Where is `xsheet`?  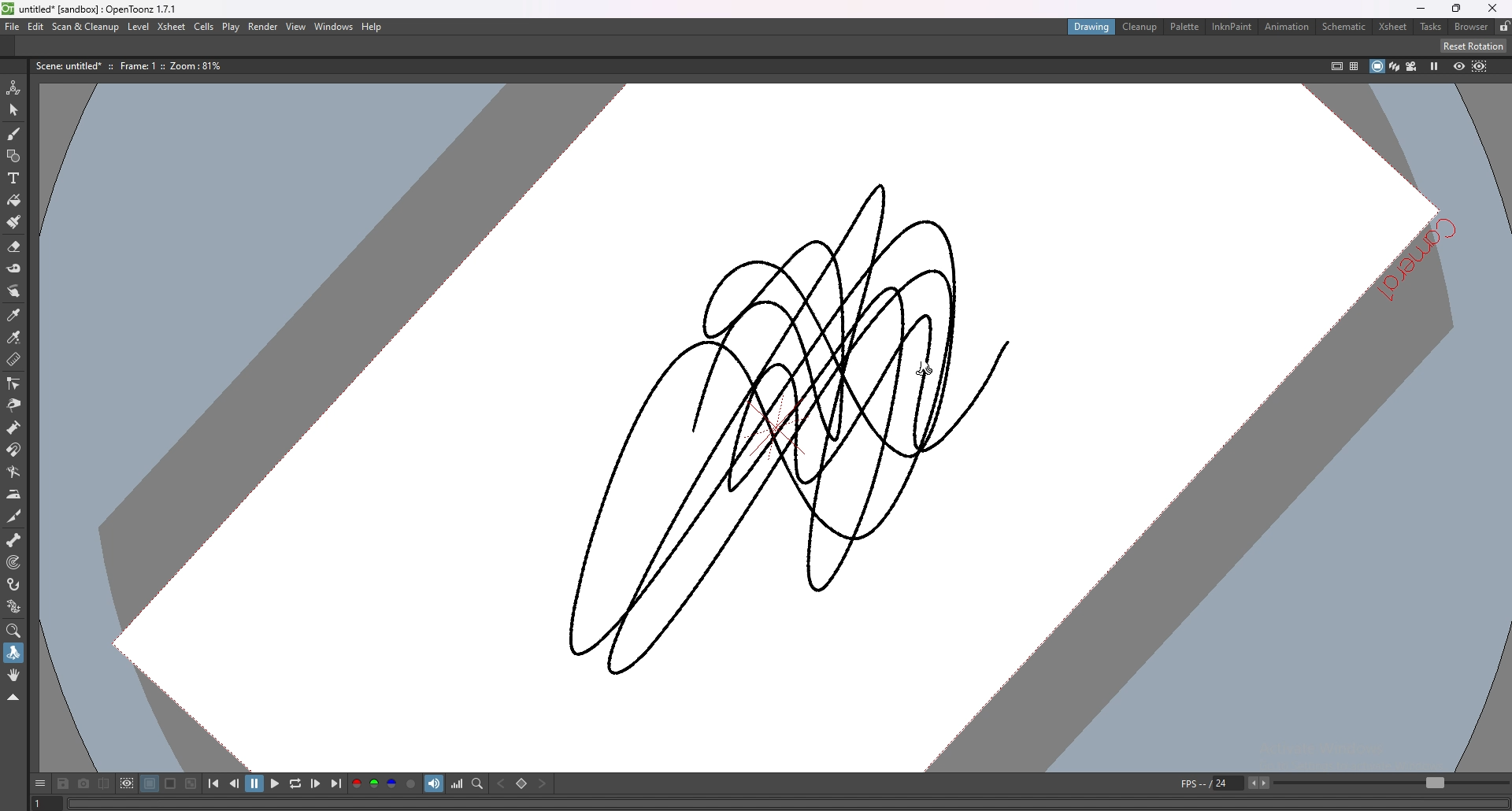 xsheet is located at coordinates (1395, 27).